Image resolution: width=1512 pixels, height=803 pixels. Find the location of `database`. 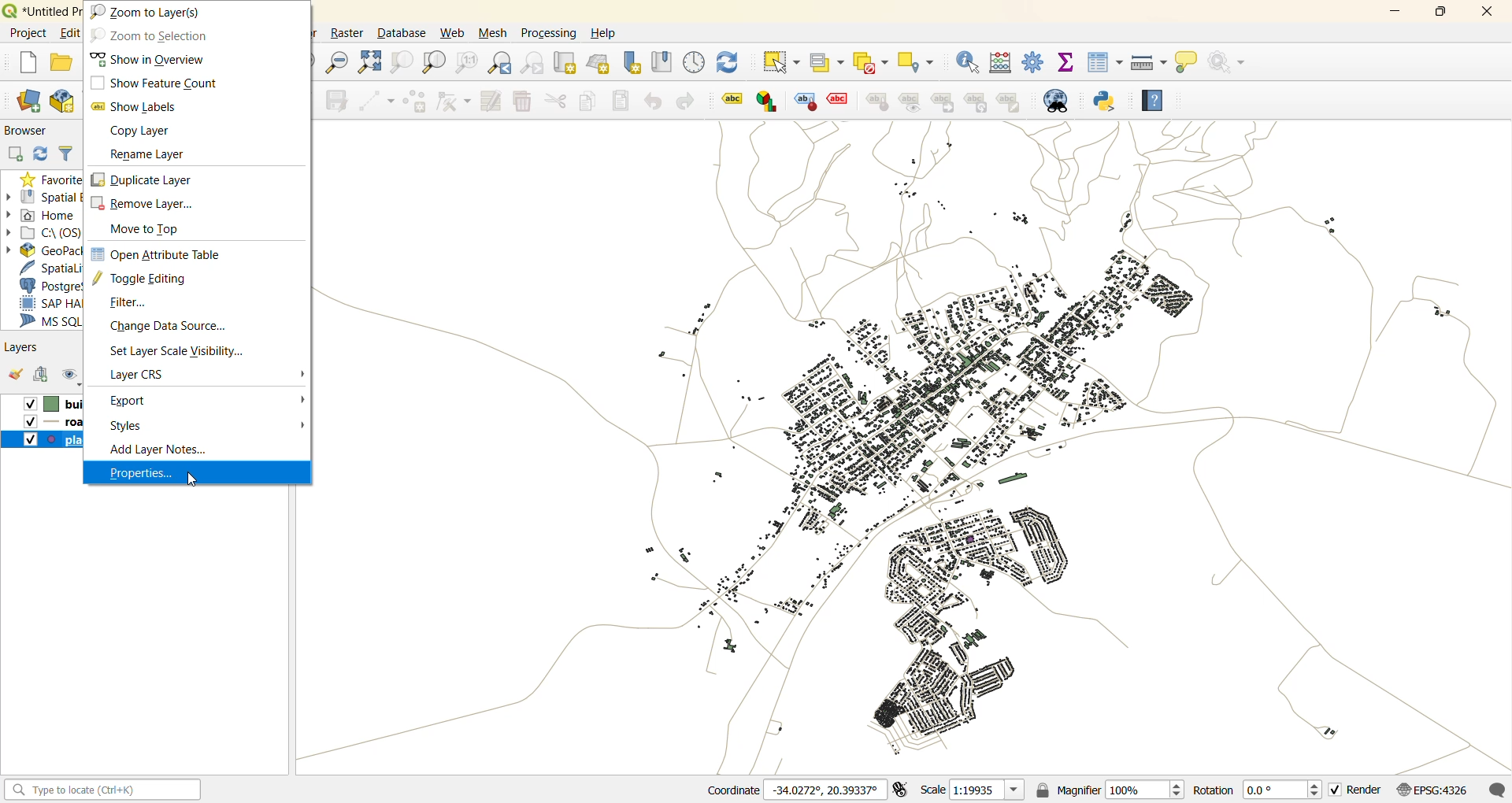

database is located at coordinates (399, 34).